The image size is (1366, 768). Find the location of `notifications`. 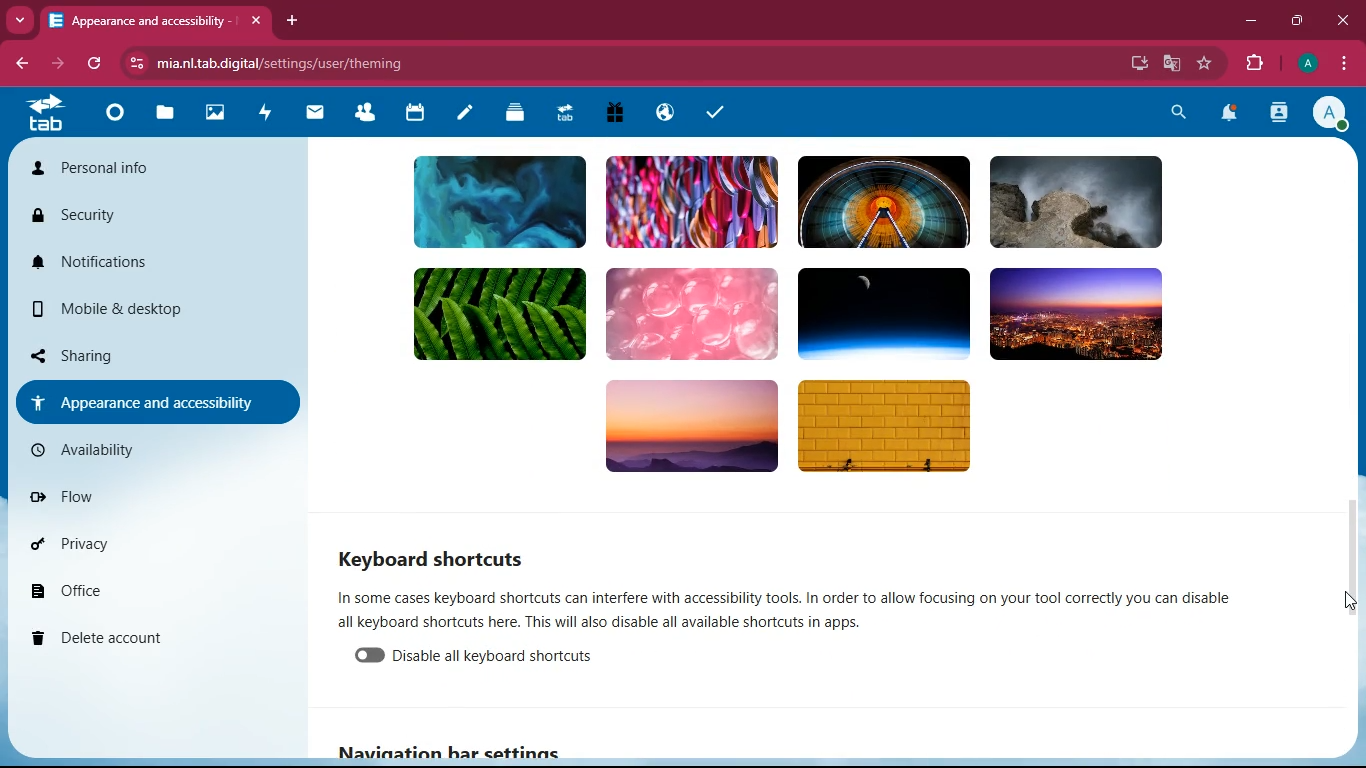

notifications is located at coordinates (143, 263).